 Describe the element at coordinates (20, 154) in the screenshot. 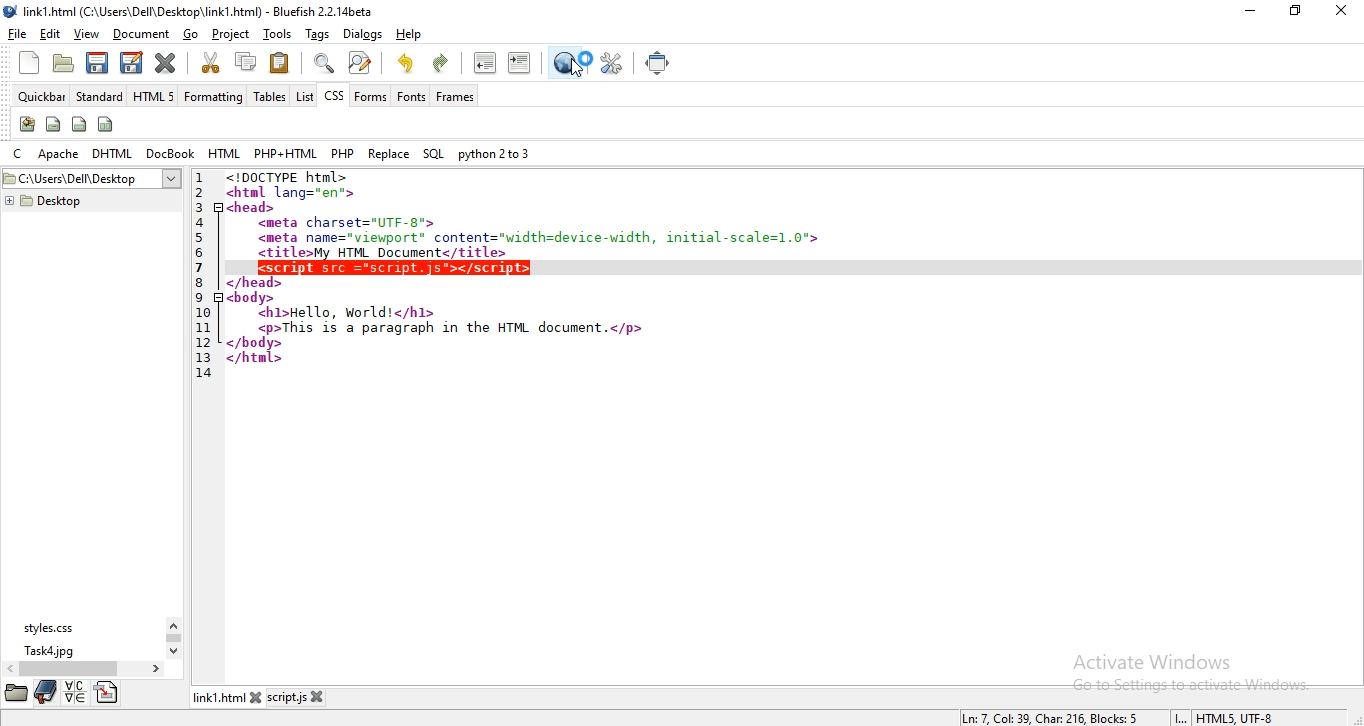

I see `c` at that location.